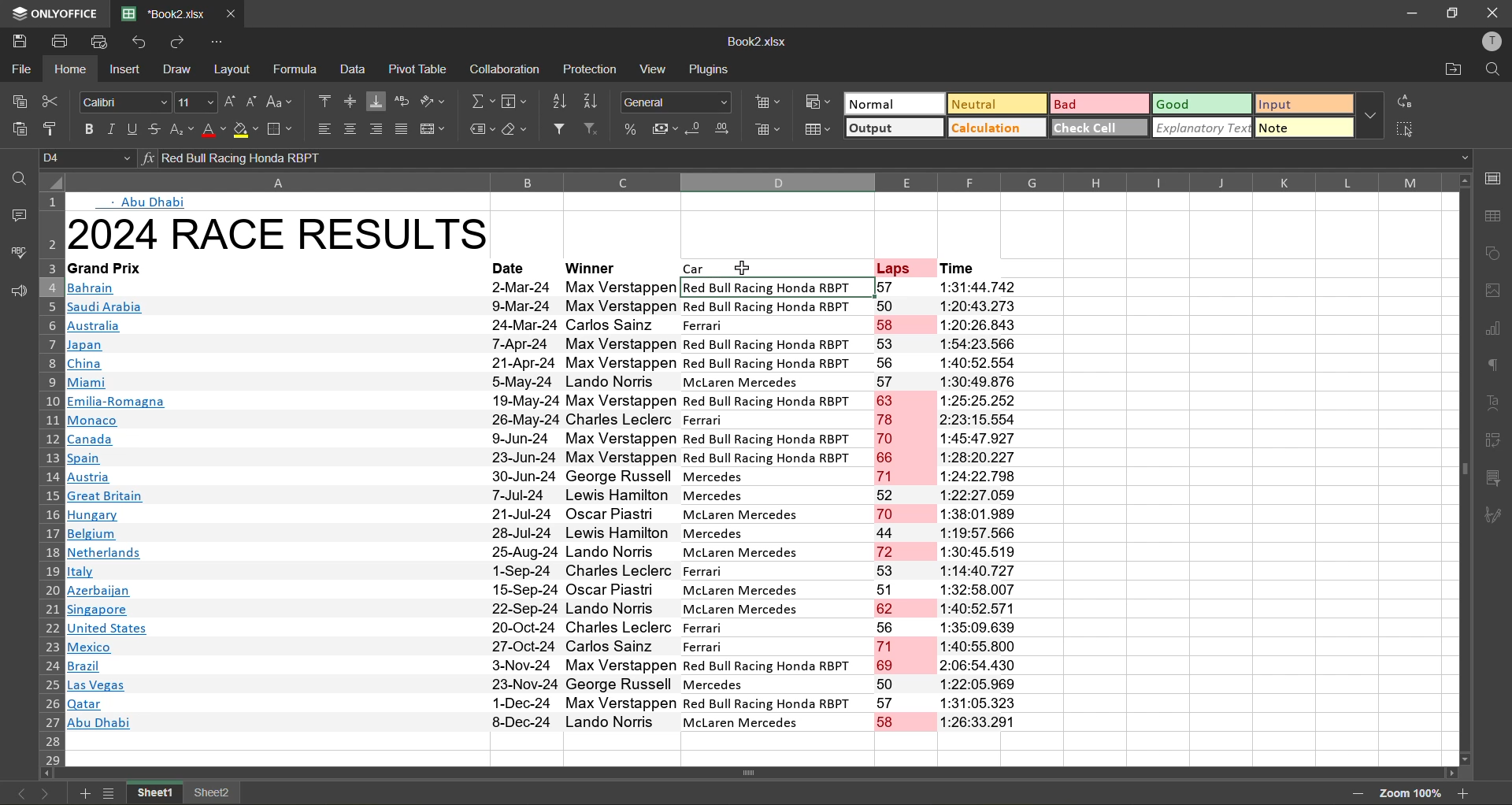 This screenshot has width=1512, height=805. Describe the element at coordinates (799, 158) in the screenshot. I see `formula bar` at that location.